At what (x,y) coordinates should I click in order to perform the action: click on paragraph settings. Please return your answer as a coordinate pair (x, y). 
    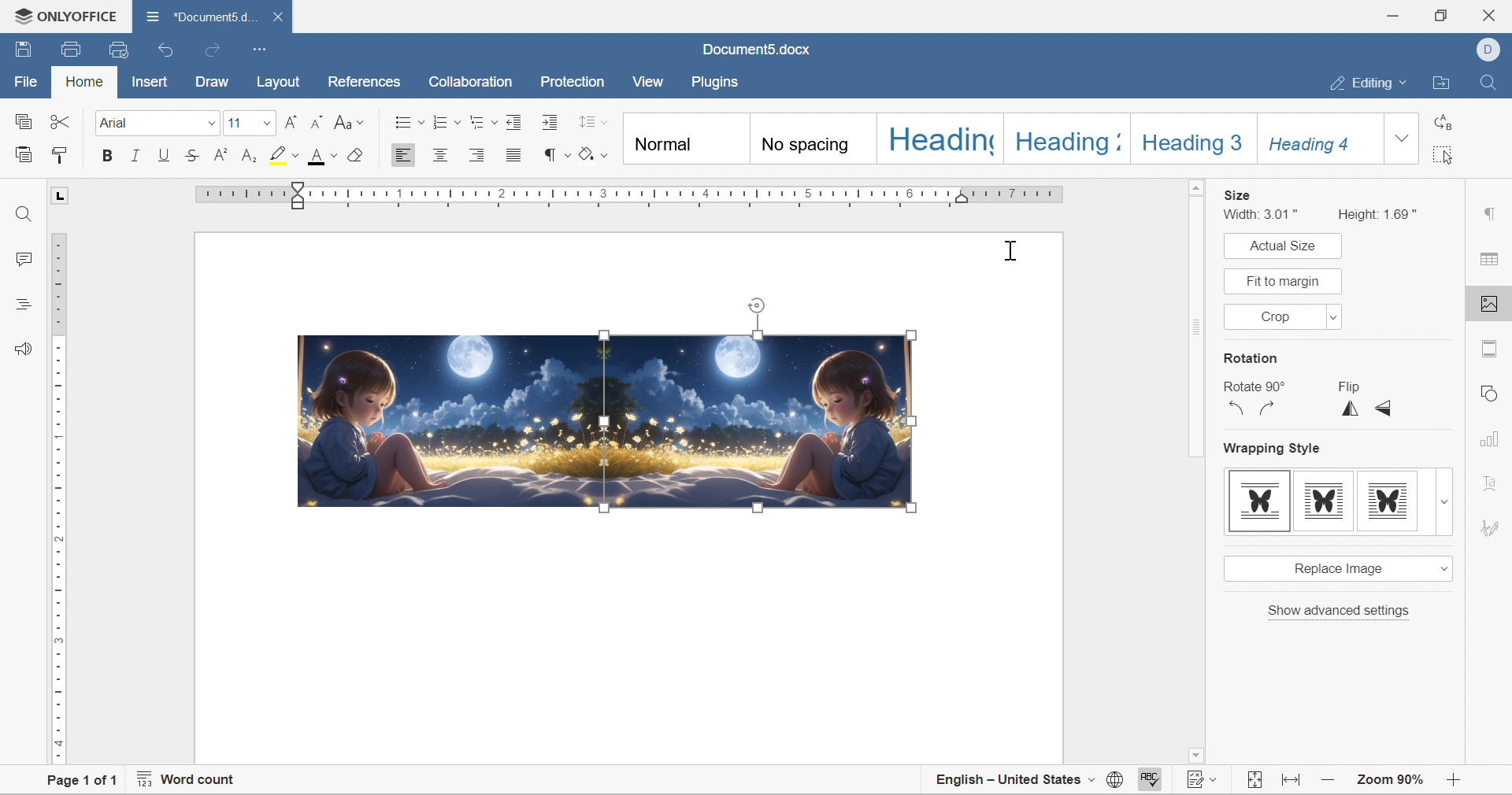
    Looking at the image, I should click on (1492, 215).